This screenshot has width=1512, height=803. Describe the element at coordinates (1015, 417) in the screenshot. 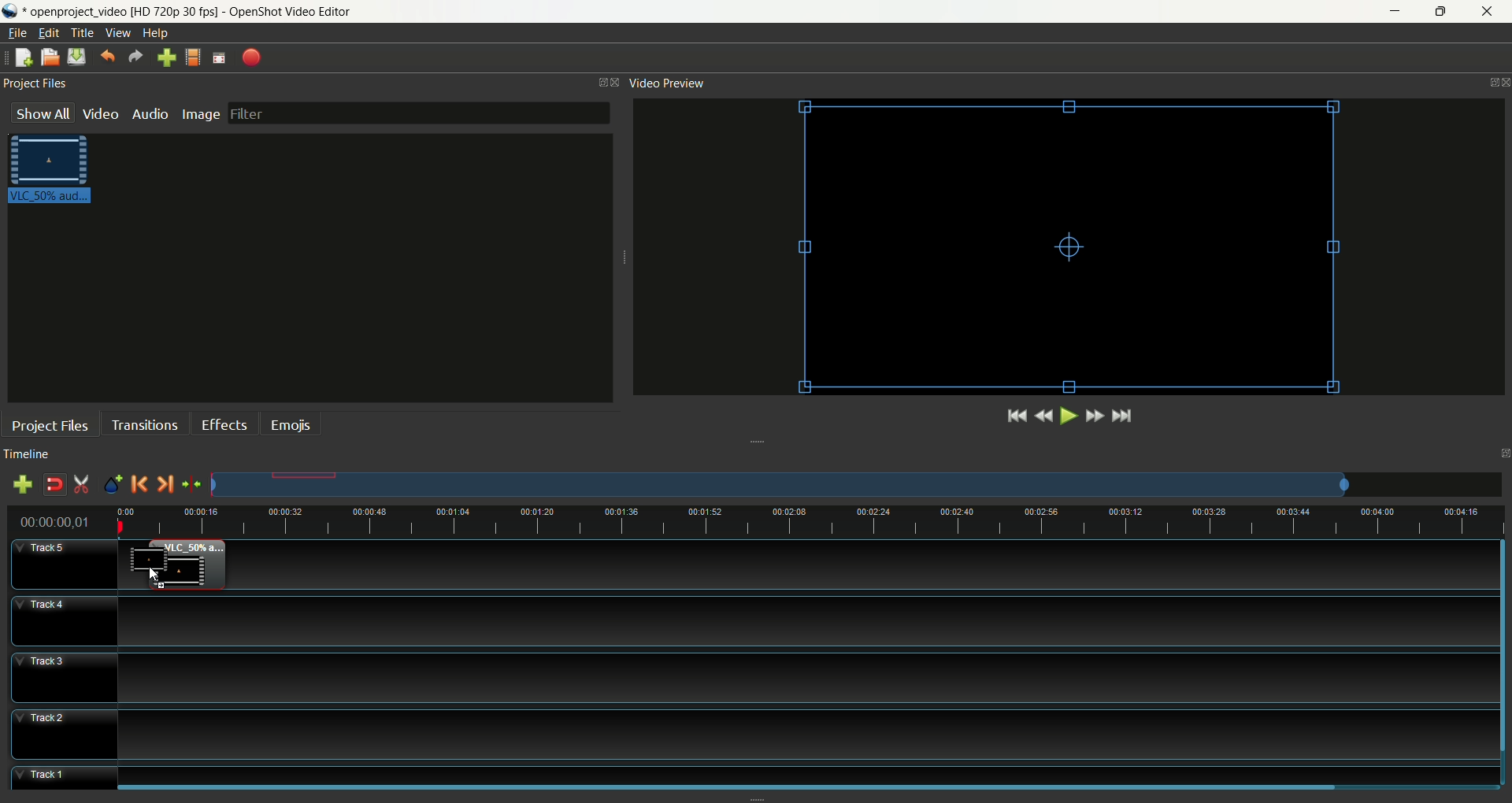

I see `jump to start` at that location.